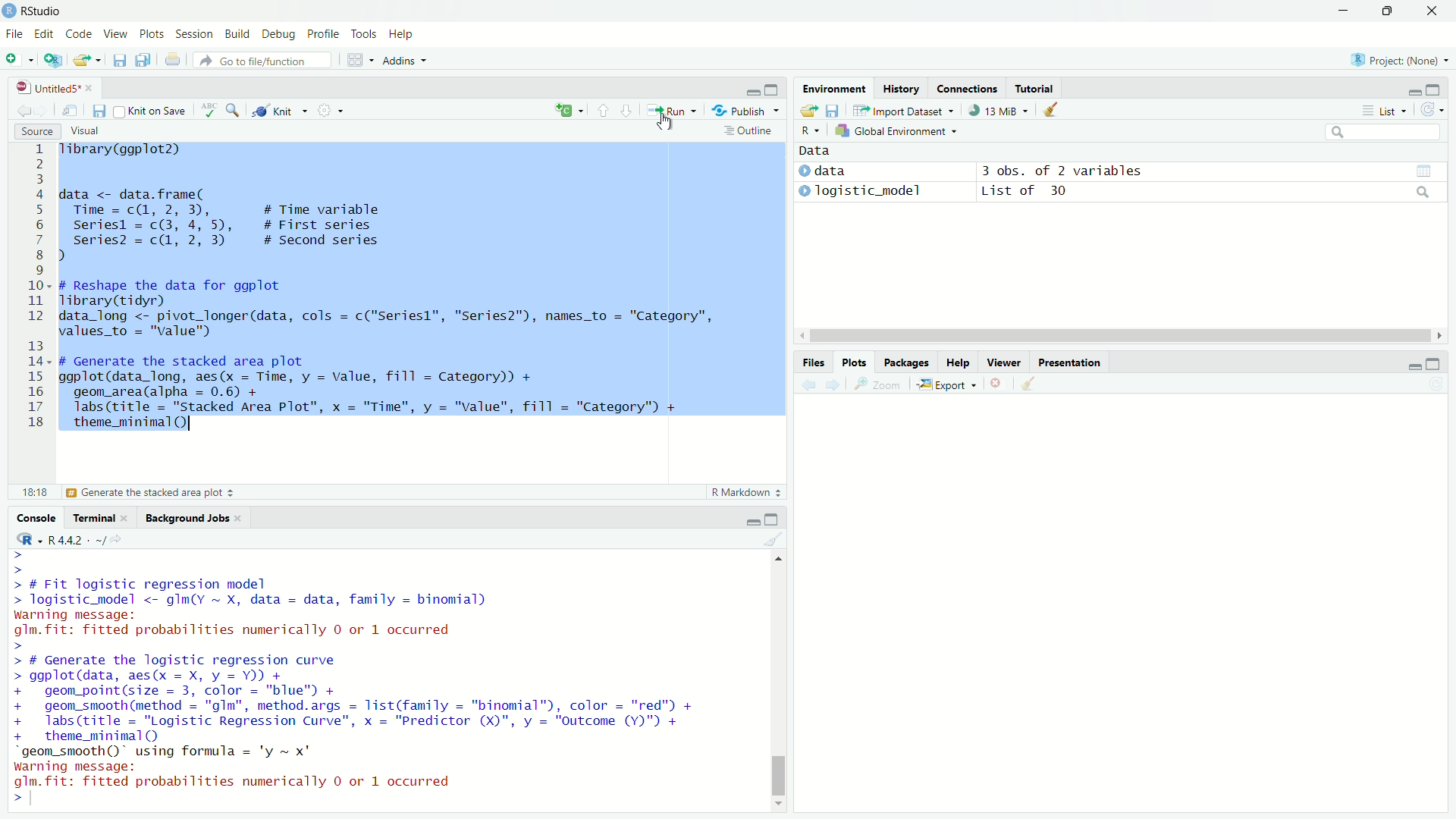  Describe the element at coordinates (236, 111) in the screenshot. I see `zoom` at that location.